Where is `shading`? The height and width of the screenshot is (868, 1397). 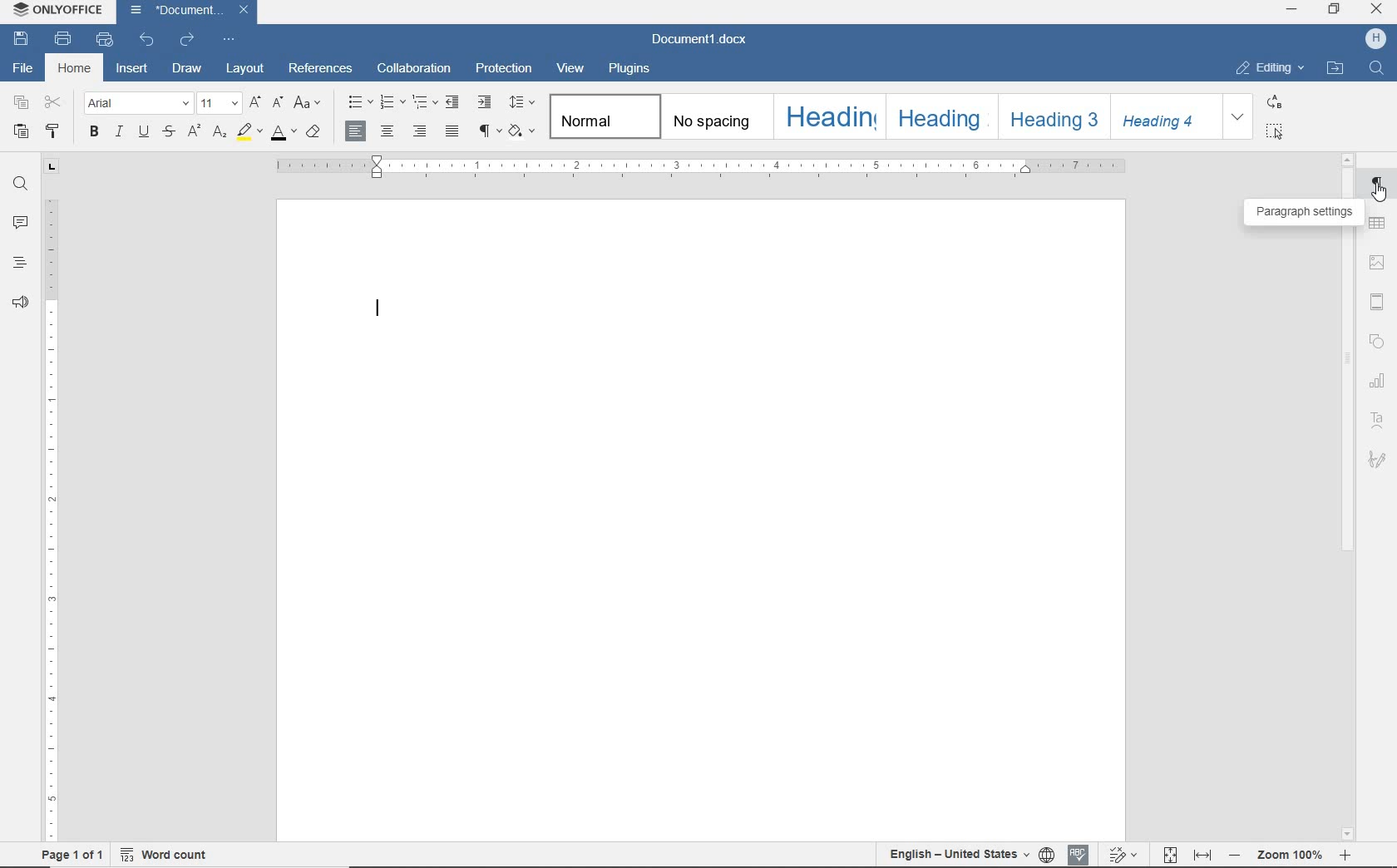 shading is located at coordinates (526, 132).